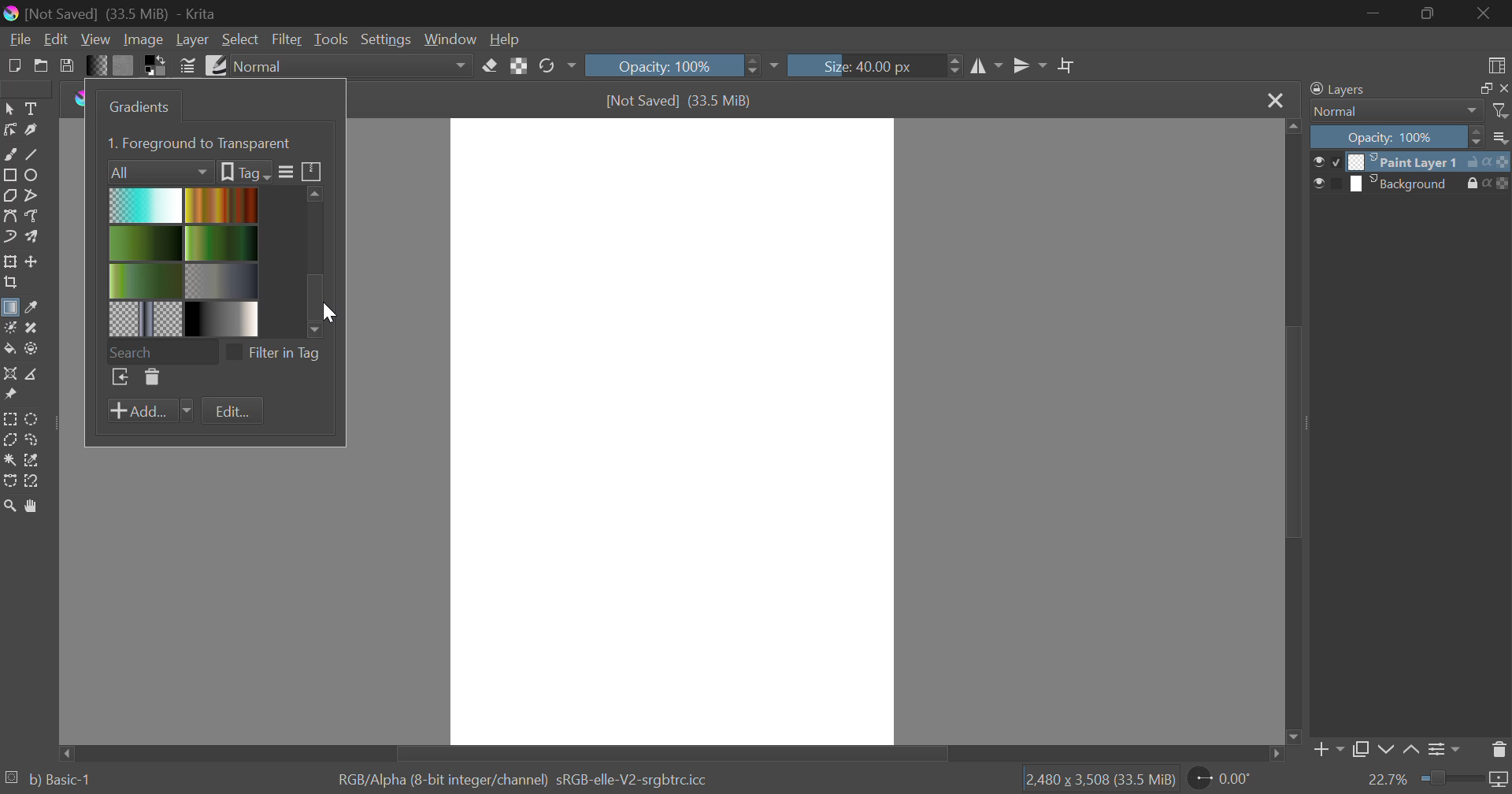  What do you see at coordinates (223, 279) in the screenshot?
I see `Gradient 6` at bounding box center [223, 279].